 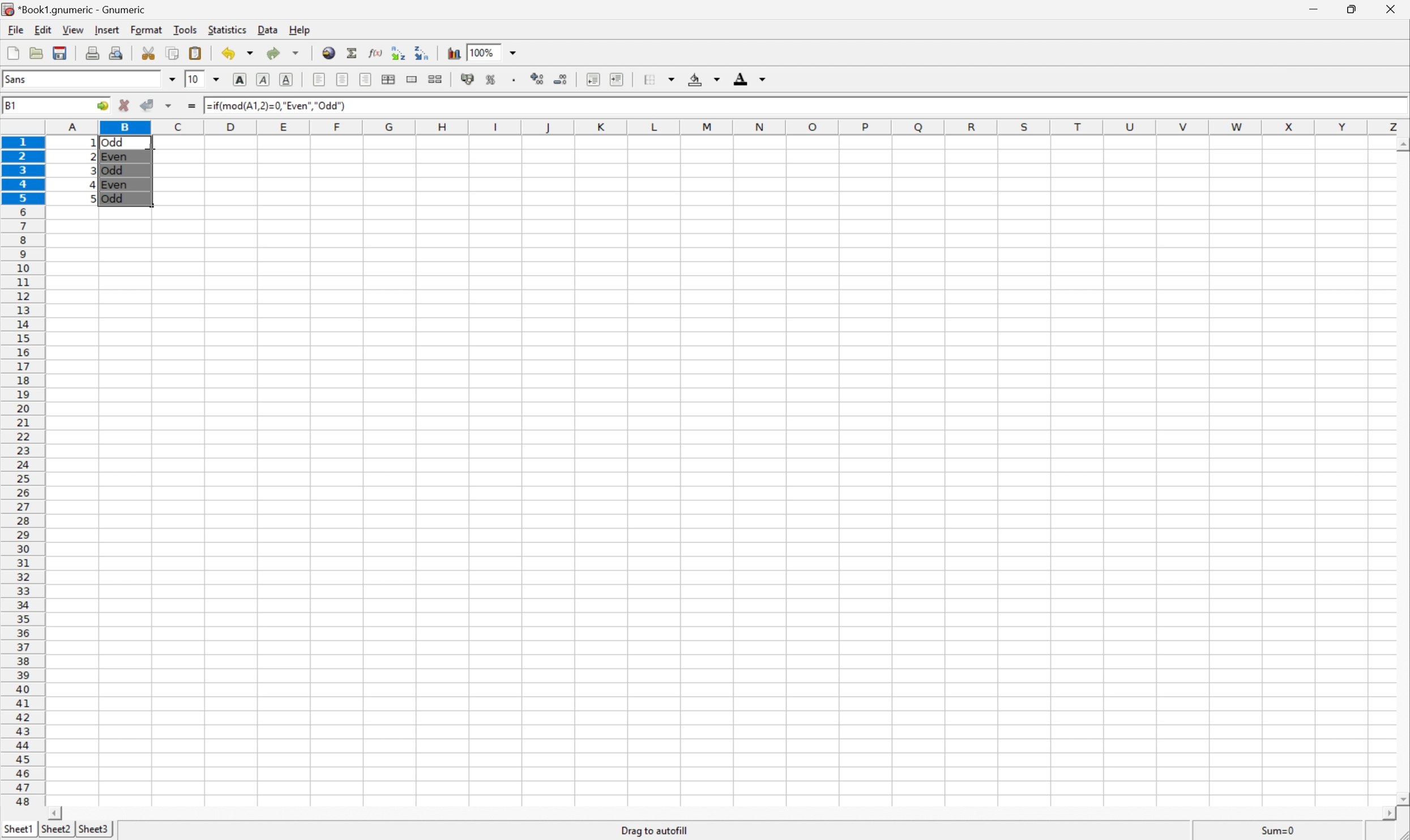 What do you see at coordinates (1279, 832) in the screenshot?
I see `Sum=1` at bounding box center [1279, 832].